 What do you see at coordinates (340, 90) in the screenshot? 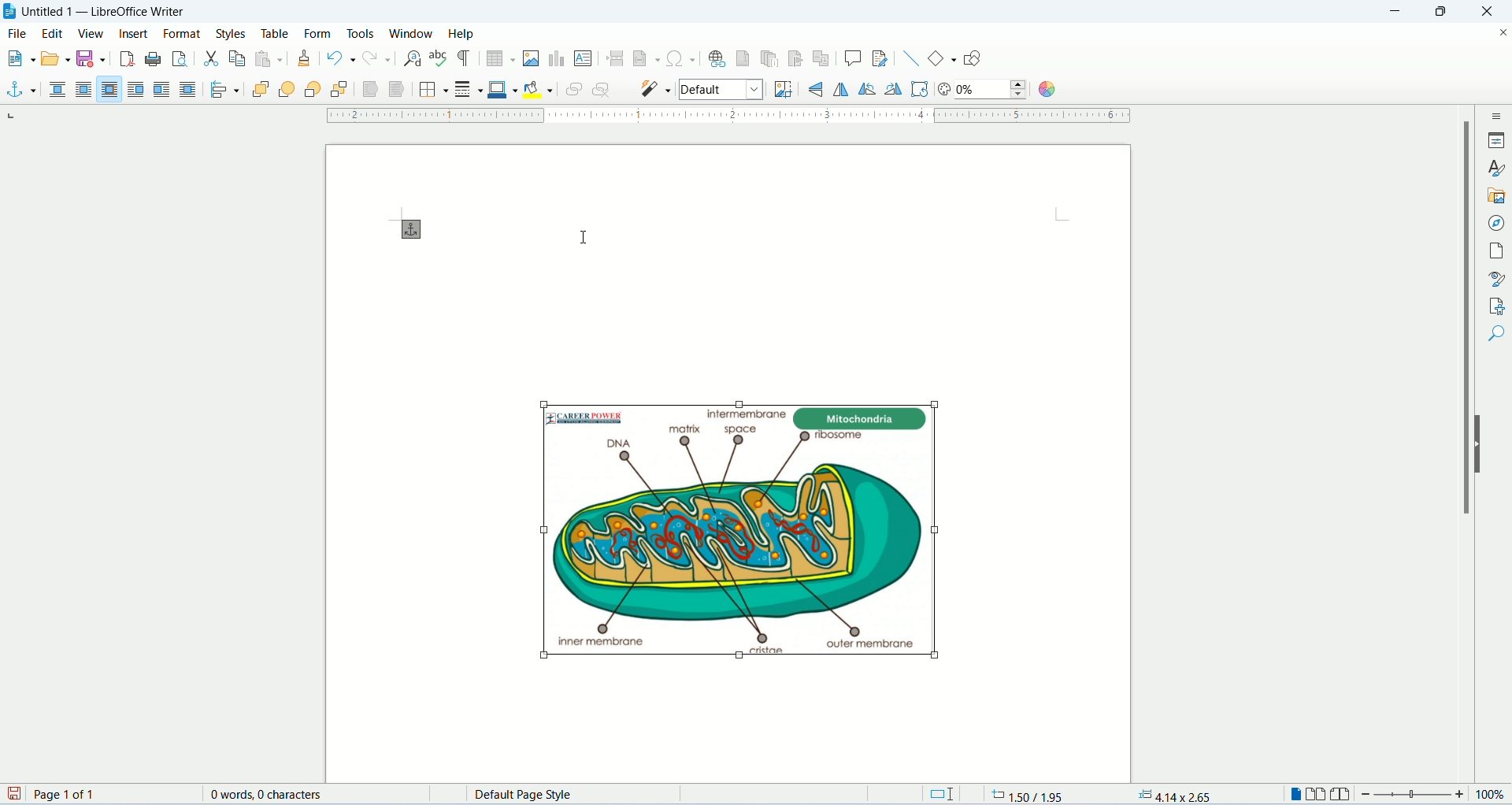
I see `send to back` at bounding box center [340, 90].